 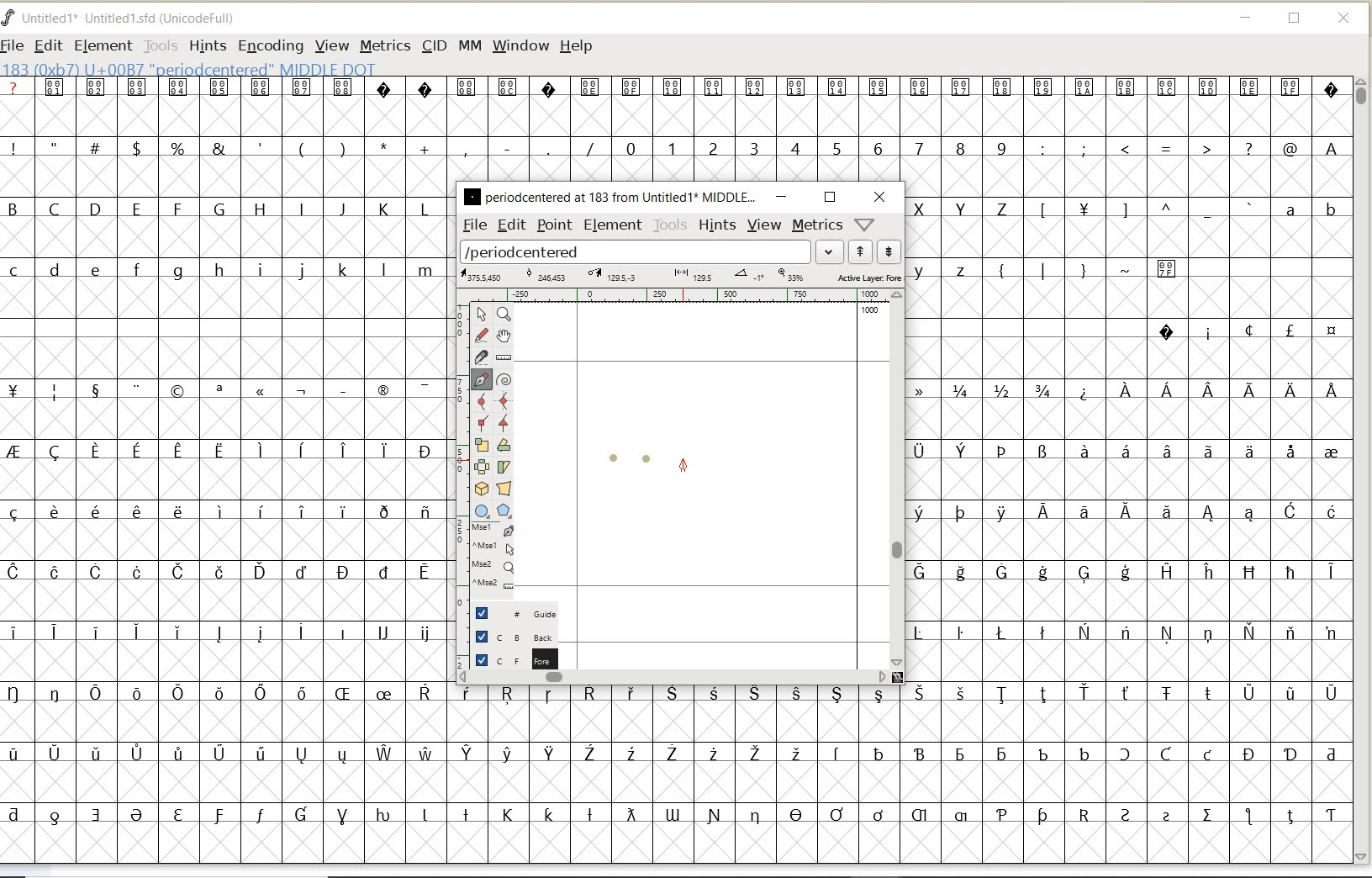 What do you see at coordinates (830, 251) in the screenshot?
I see `expand` at bounding box center [830, 251].